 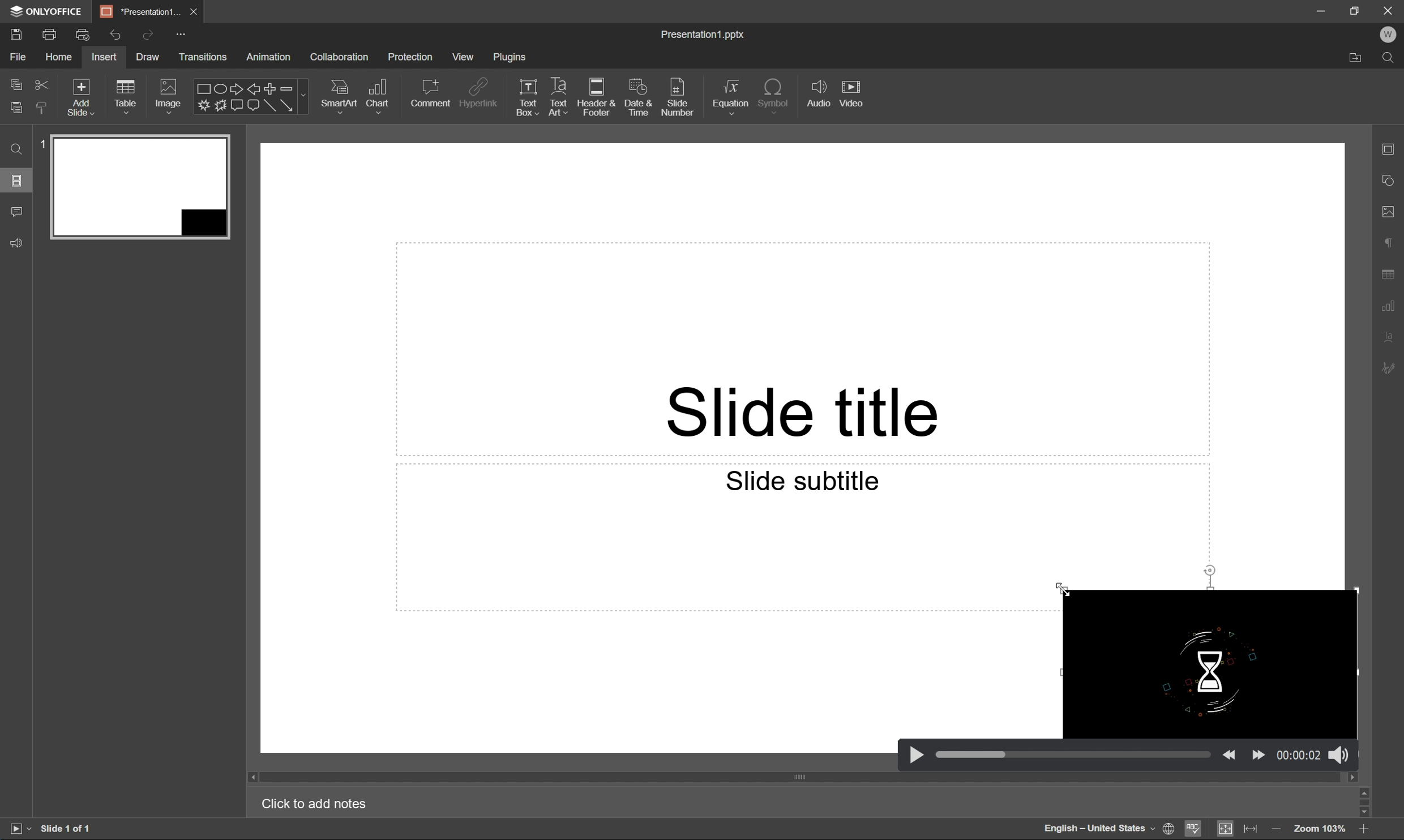 I want to click on text box, so click(x=528, y=97).